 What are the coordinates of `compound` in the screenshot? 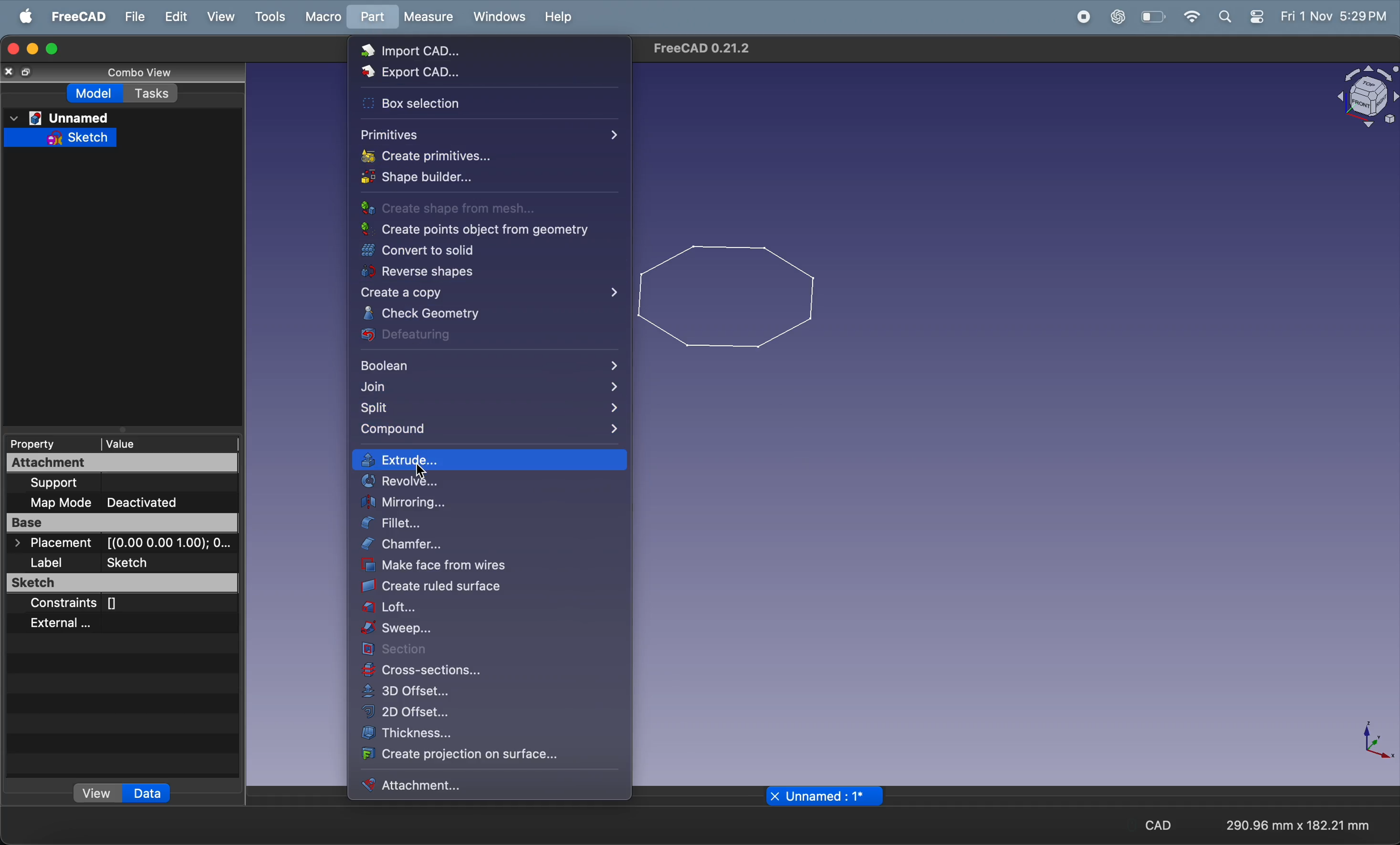 It's located at (489, 430).